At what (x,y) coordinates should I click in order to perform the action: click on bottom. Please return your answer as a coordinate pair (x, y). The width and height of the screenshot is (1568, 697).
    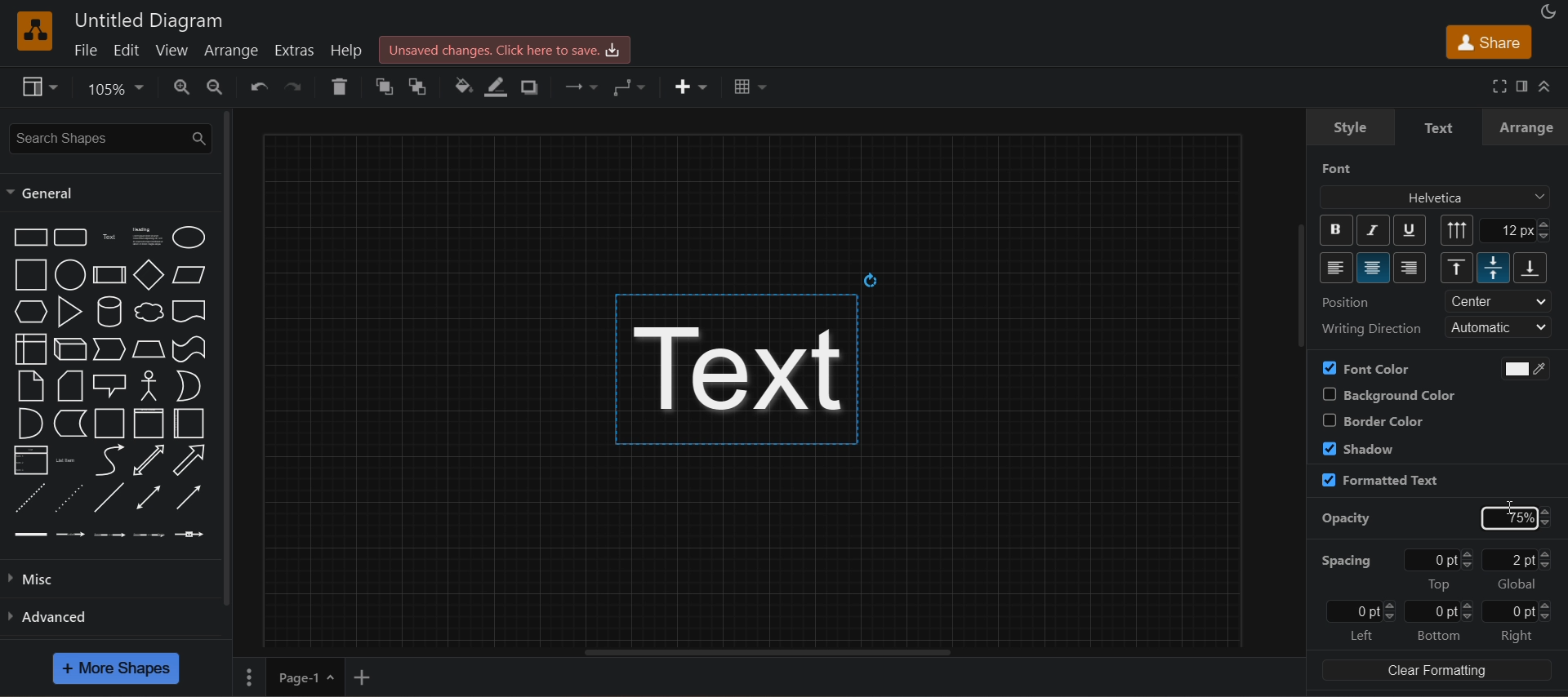
    Looking at the image, I should click on (1438, 635).